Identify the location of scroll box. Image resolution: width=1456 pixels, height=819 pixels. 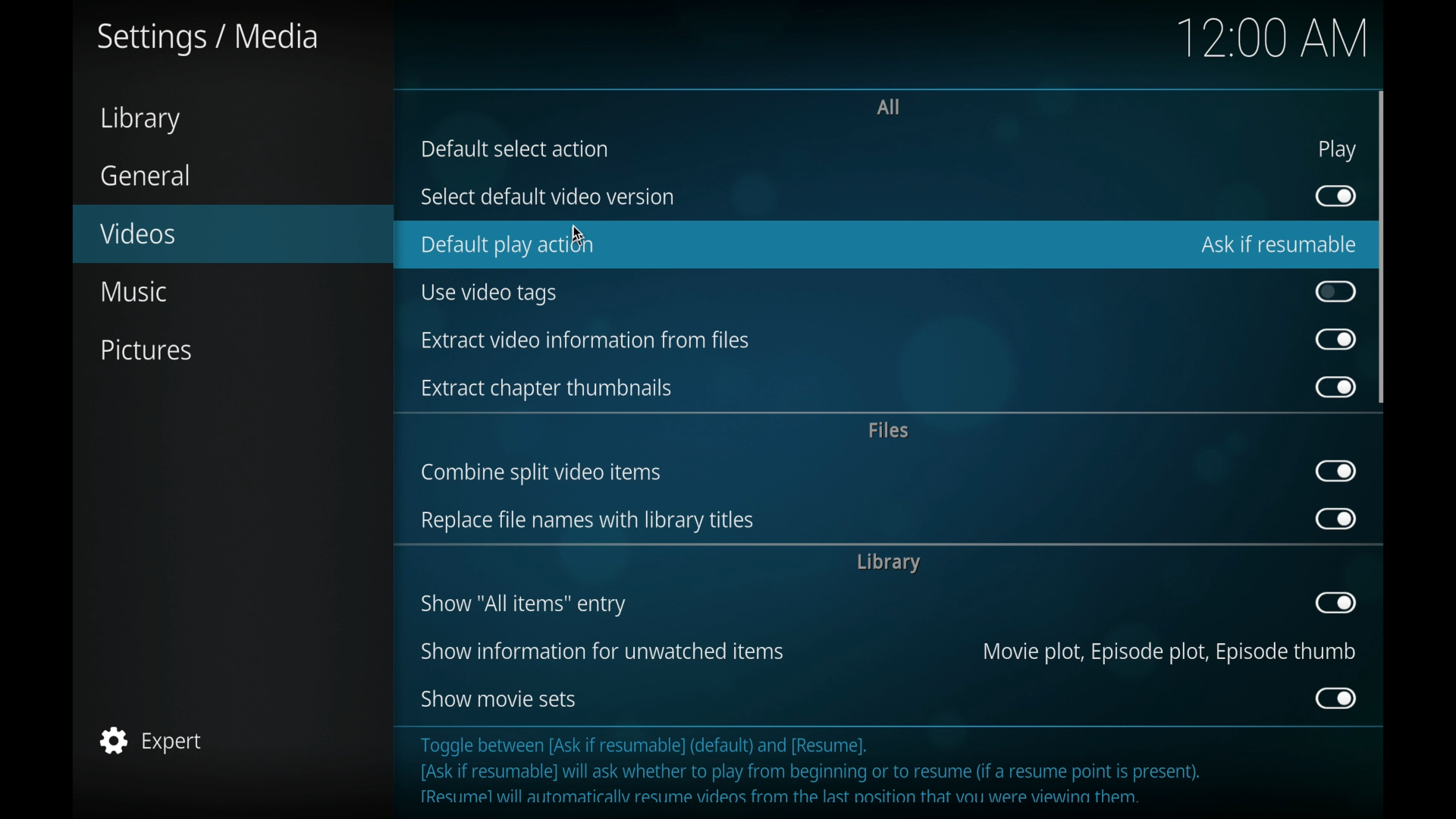
(1382, 248).